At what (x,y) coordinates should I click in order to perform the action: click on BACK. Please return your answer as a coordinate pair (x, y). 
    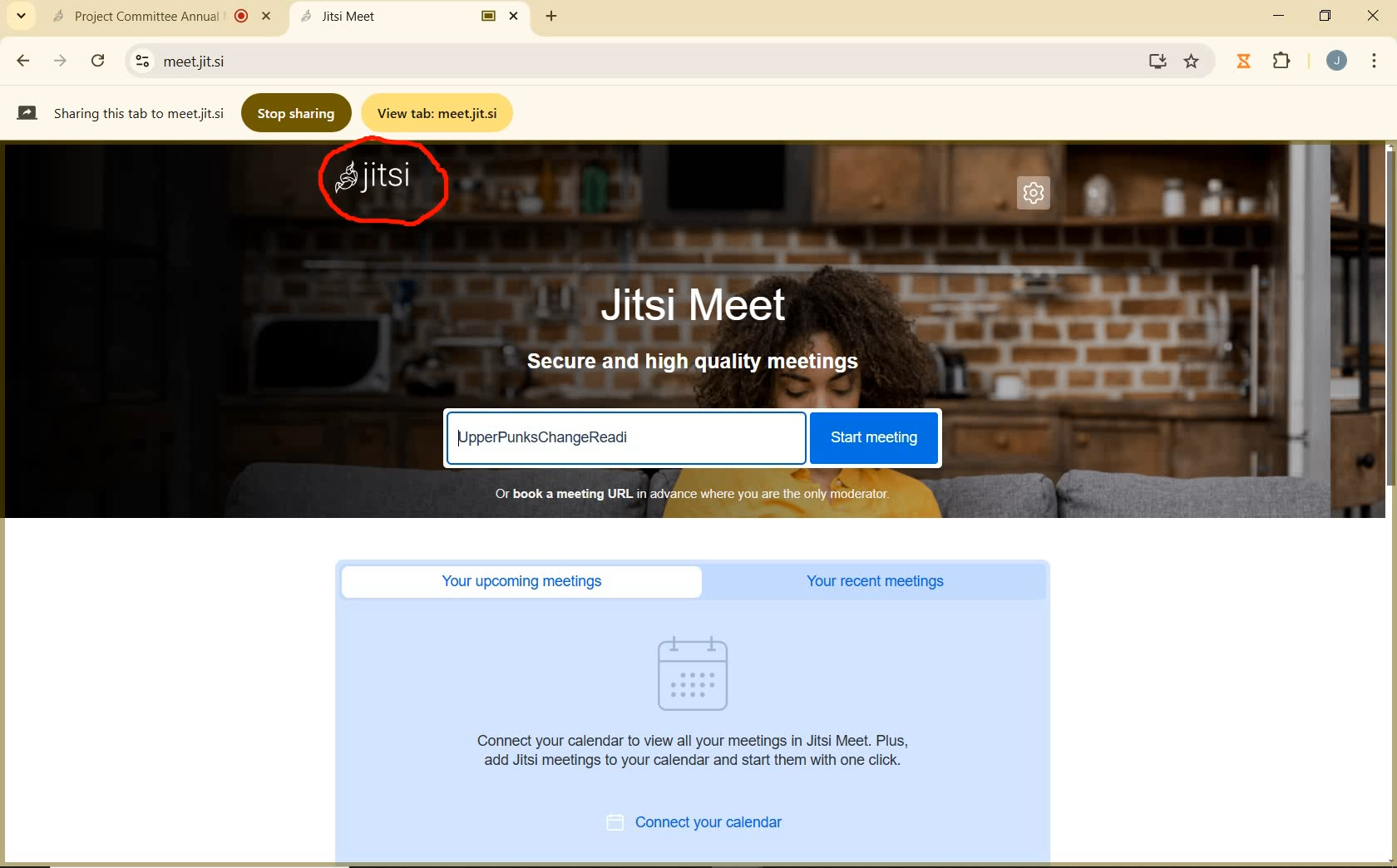
    Looking at the image, I should click on (22, 61).